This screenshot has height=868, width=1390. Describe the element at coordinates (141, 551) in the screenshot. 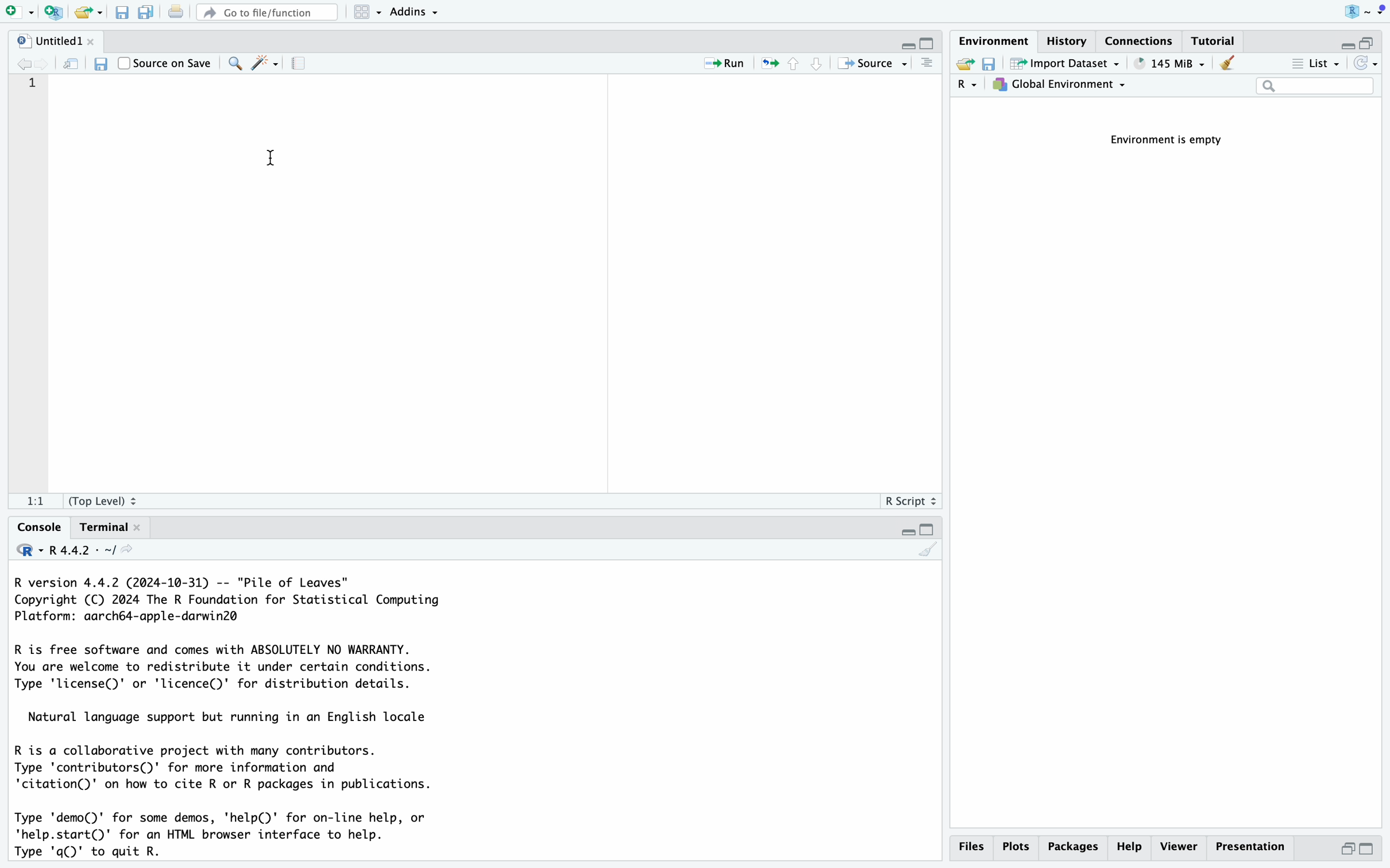

I see `view the current working directory` at that location.